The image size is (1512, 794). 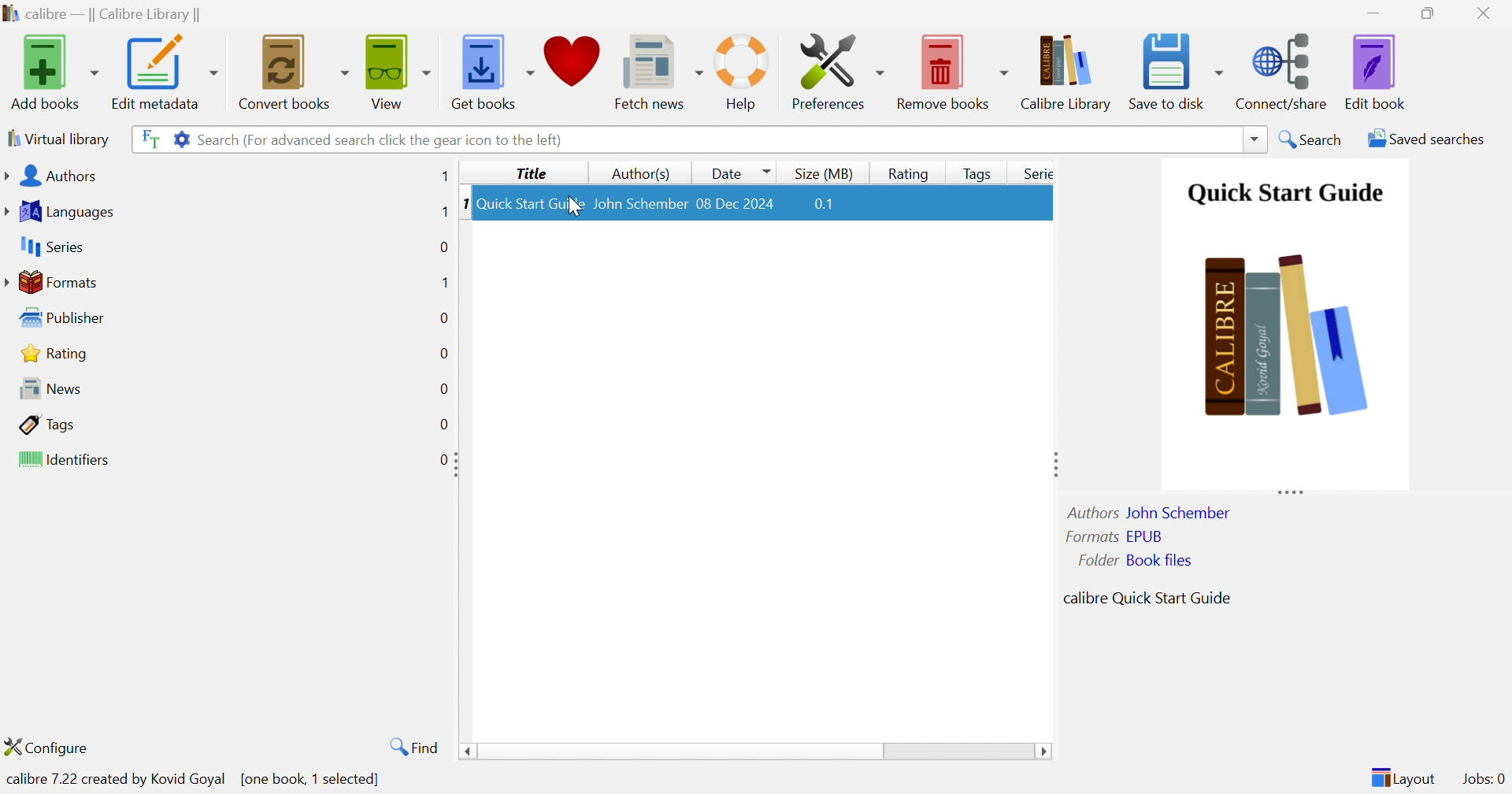 I want to click on Layout, so click(x=1402, y=777).